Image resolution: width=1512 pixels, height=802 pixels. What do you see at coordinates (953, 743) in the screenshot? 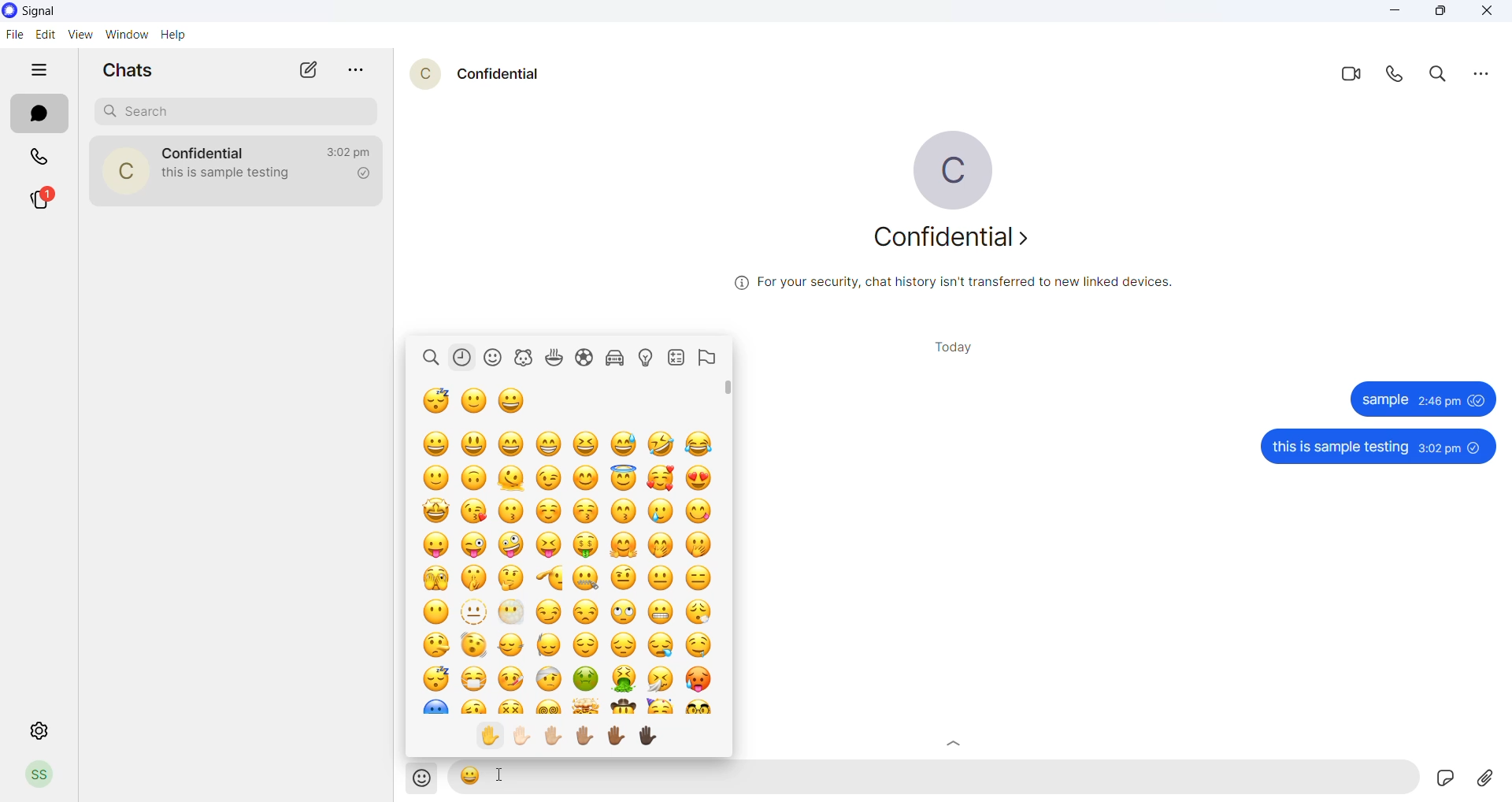
I see `Scroll up` at bounding box center [953, 743].